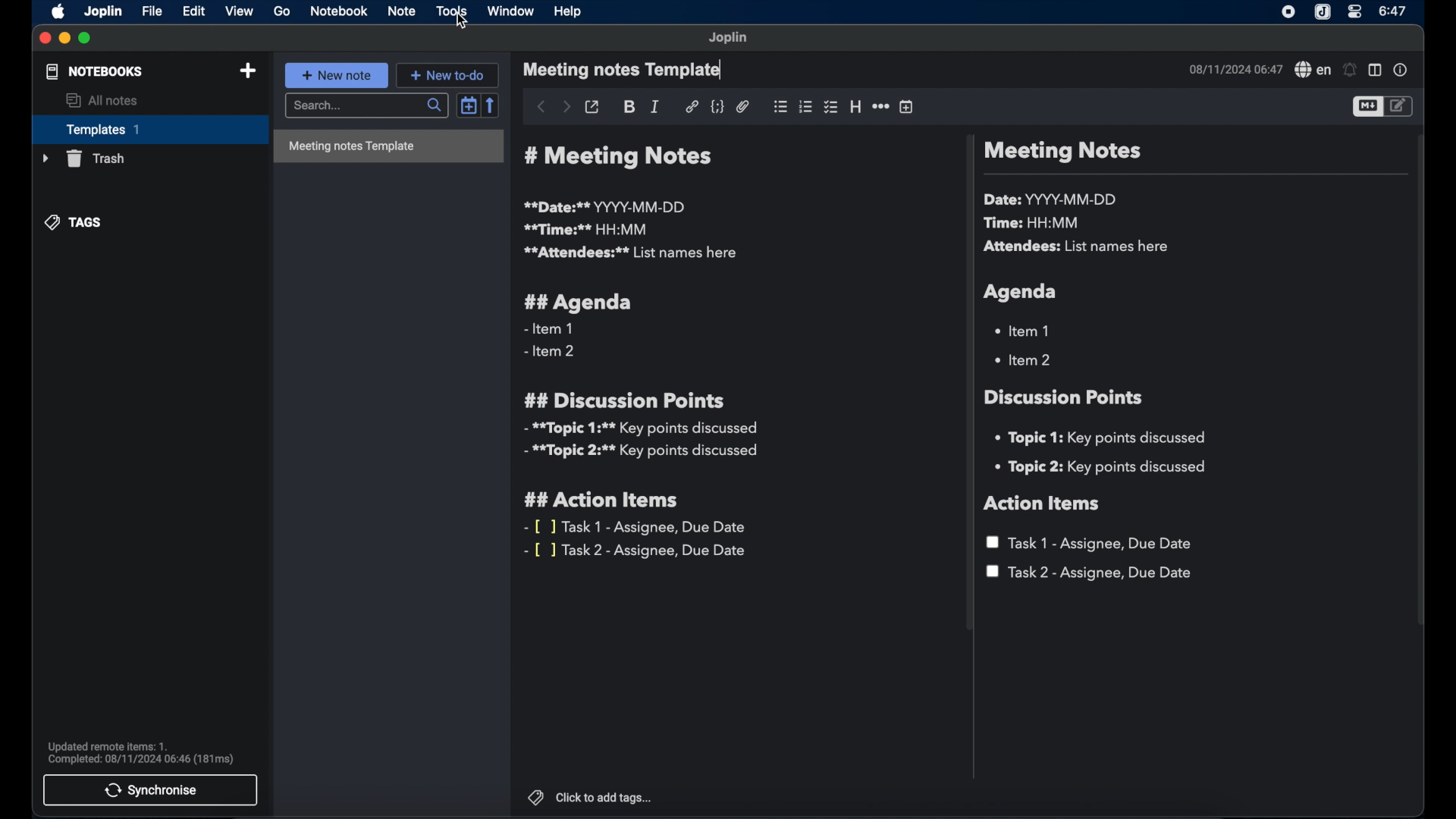 The width and height of the screenshot is (1456, 819). Describe the element at coordinates (451, 11) in the screenshot. I see `tools` at that location.